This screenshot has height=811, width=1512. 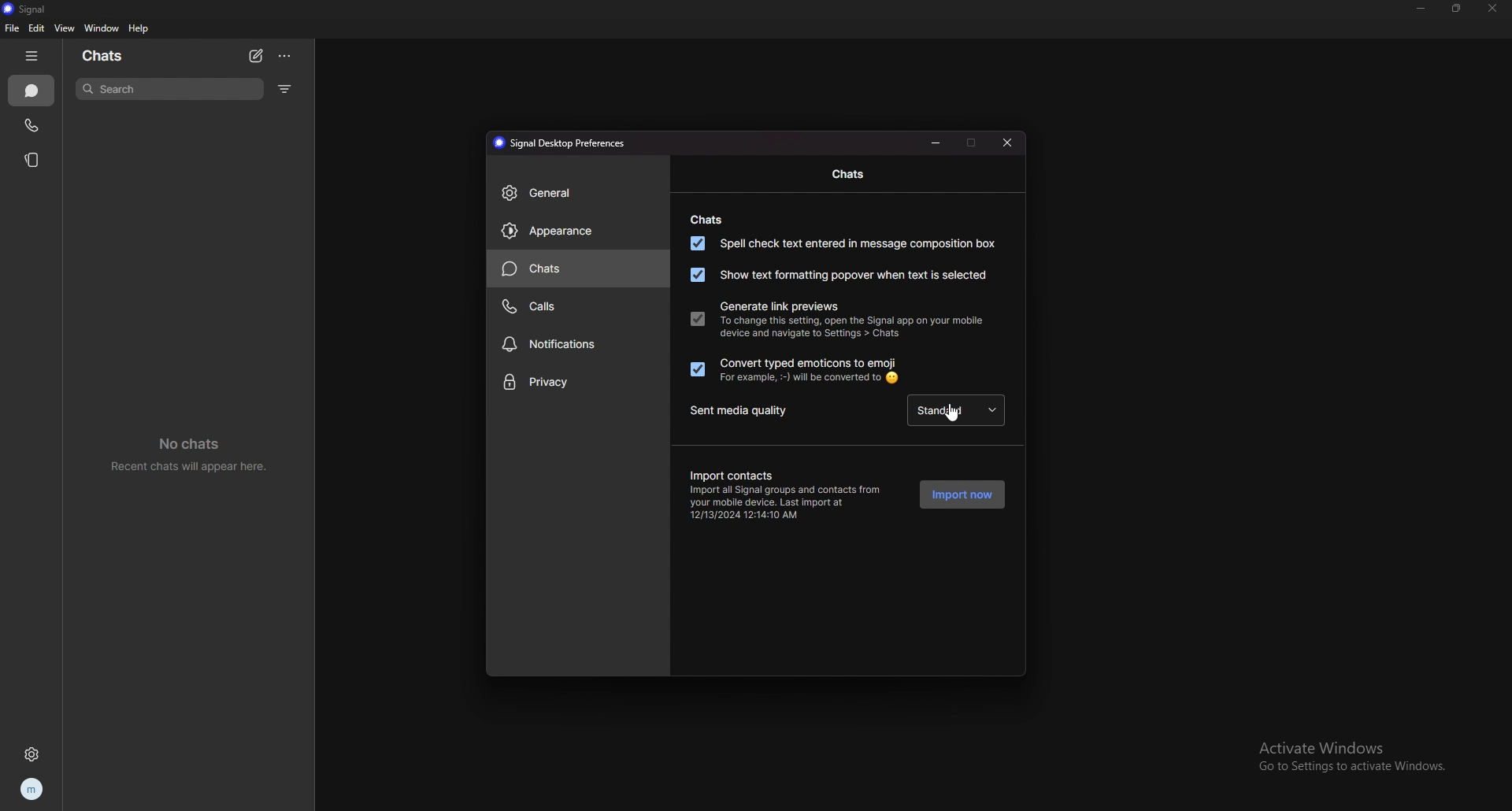 I want to click on settings, so click(x=33, y=755).